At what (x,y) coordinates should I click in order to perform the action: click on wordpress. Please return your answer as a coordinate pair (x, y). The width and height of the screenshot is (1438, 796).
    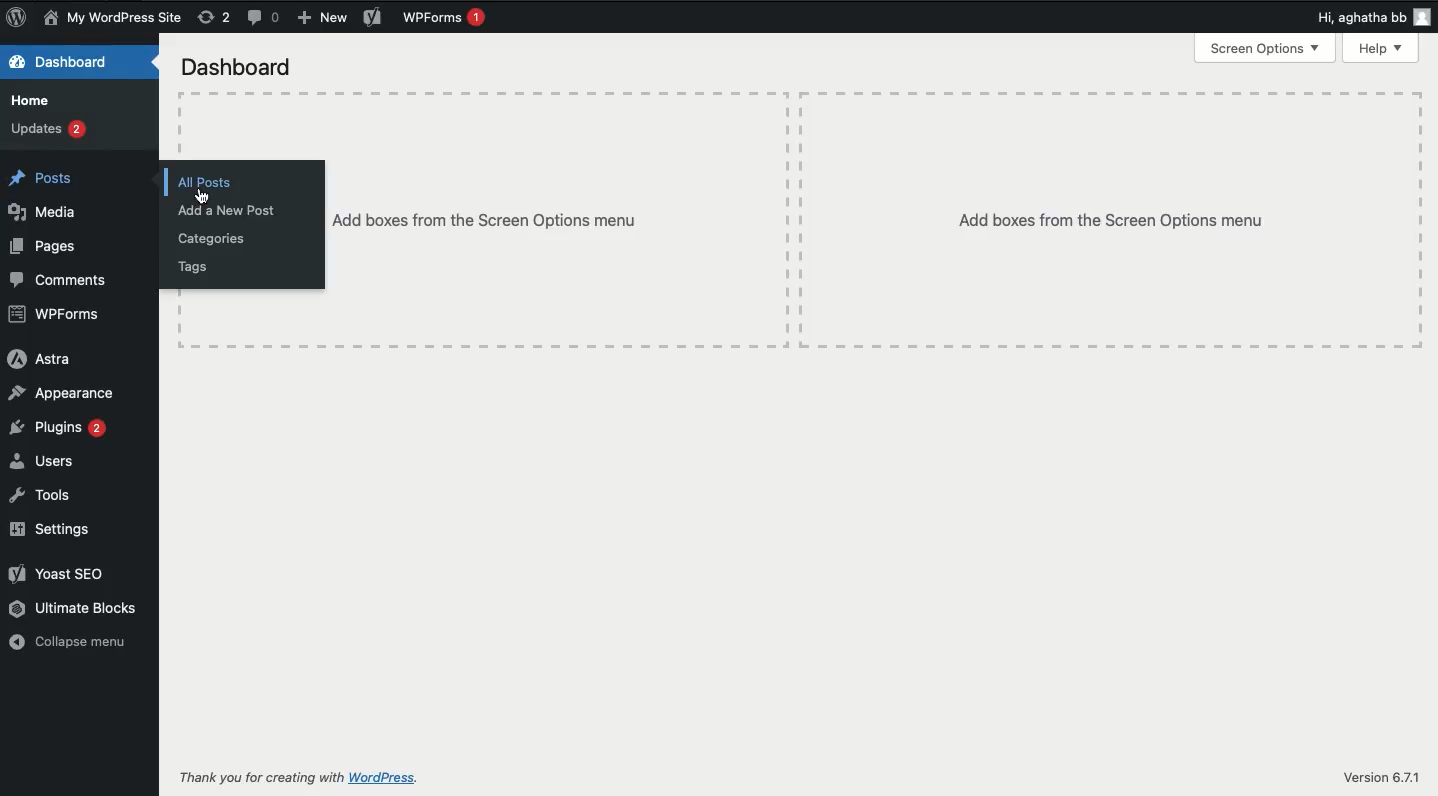
    Looking at the image, I should click on (383, 778).